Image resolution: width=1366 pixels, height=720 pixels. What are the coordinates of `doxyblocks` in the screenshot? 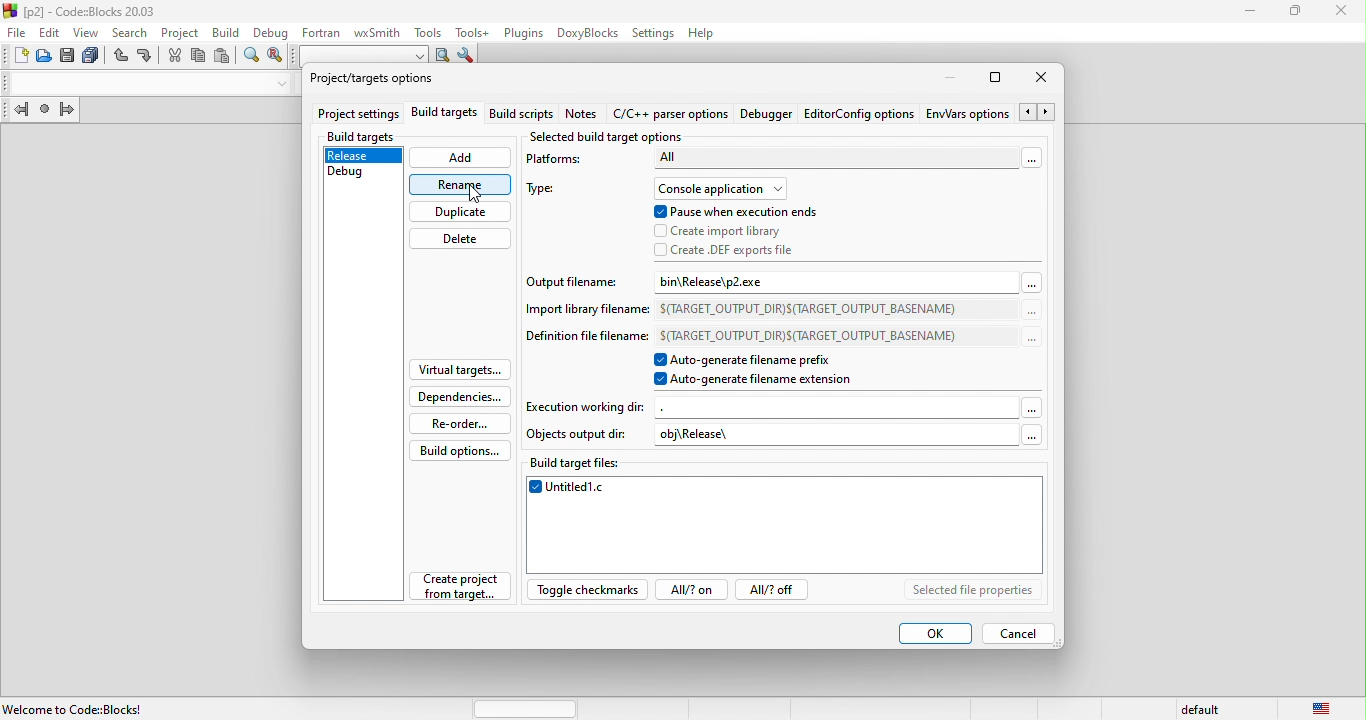 It's located at (584, 33).